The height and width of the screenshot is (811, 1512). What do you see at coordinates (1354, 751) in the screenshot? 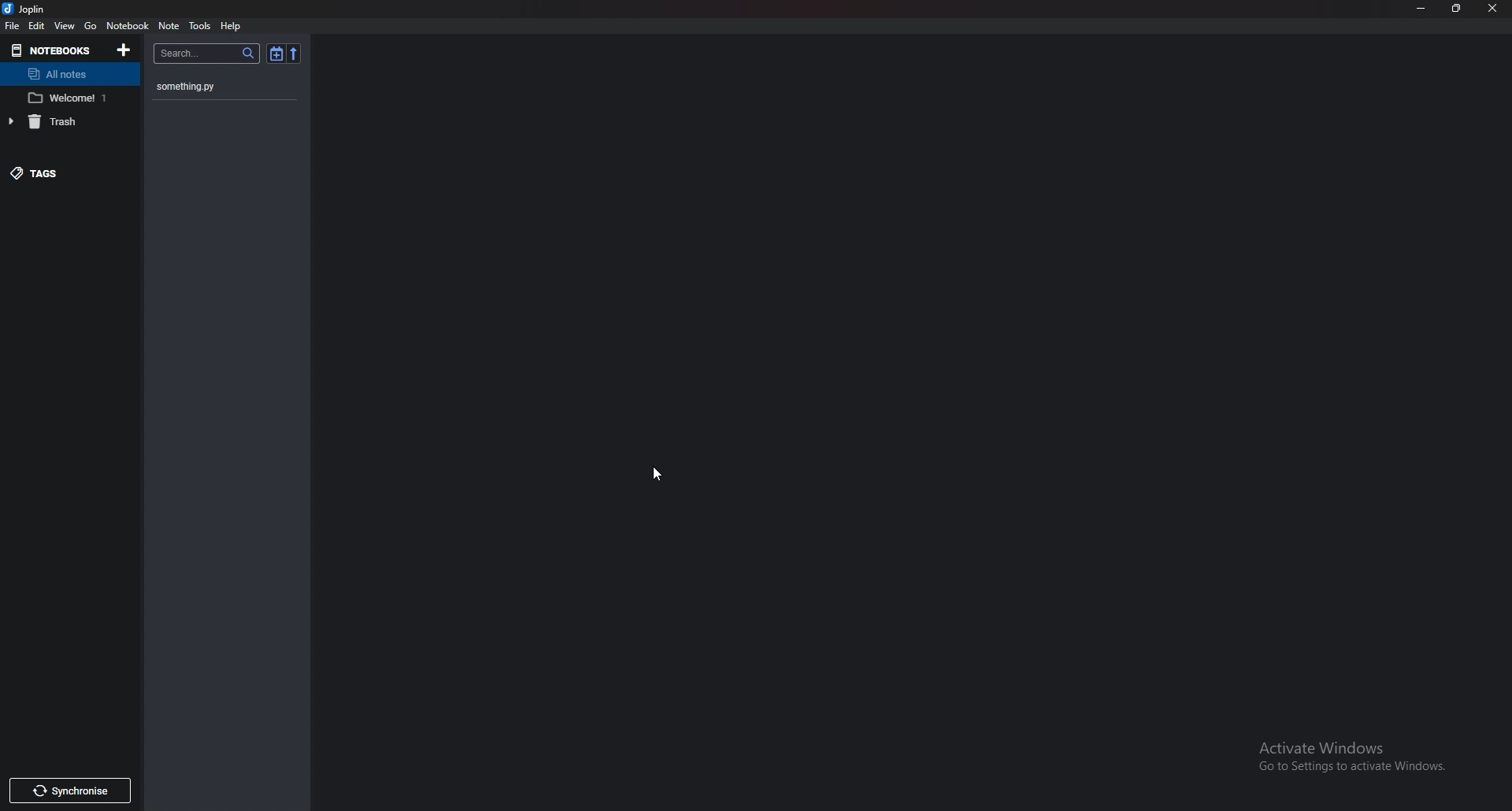
I see `activate windows` at bounding box center [1354, 751].